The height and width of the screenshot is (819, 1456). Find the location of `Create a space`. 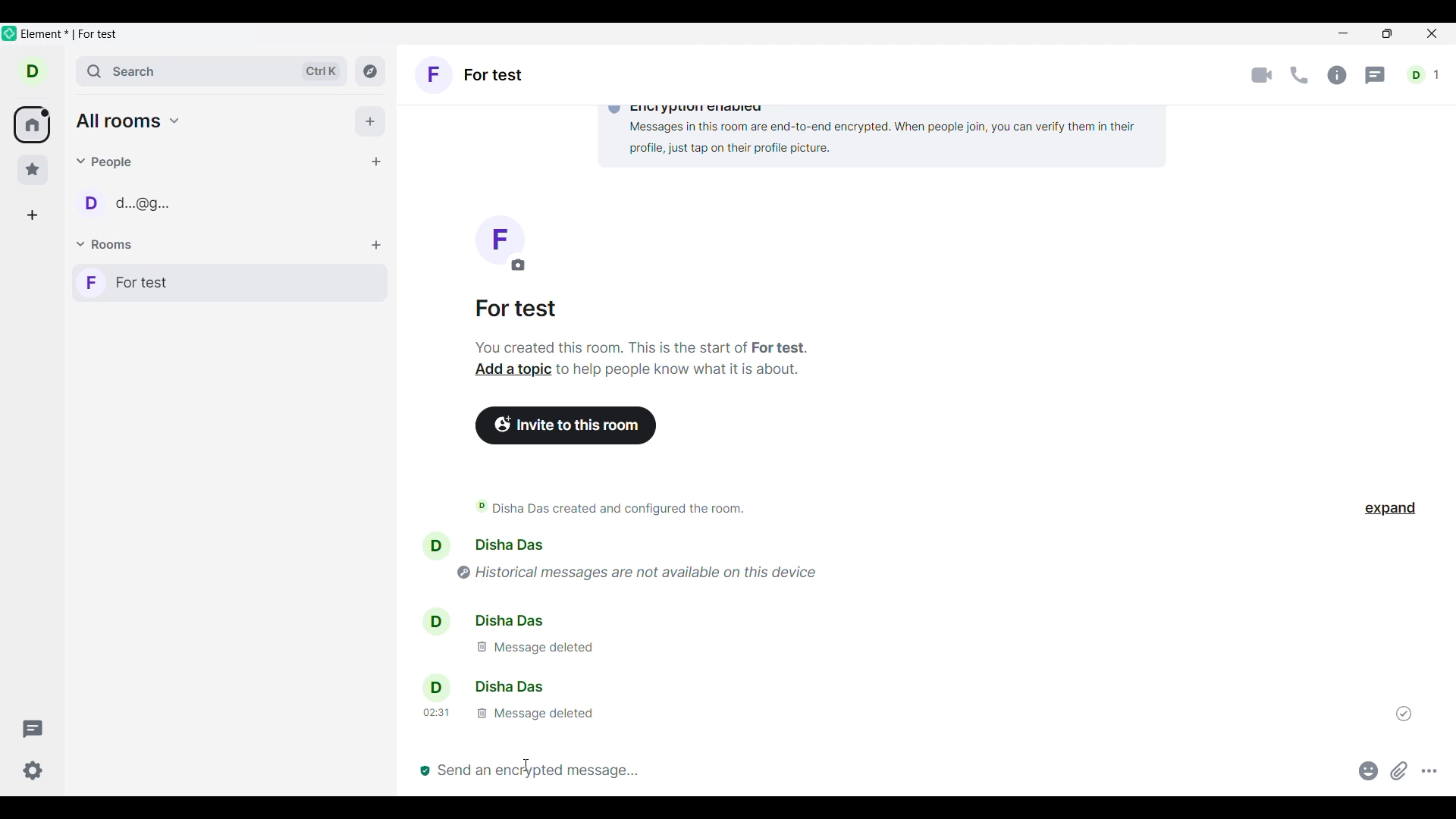

Create a space is located at coordinates (32, 215).